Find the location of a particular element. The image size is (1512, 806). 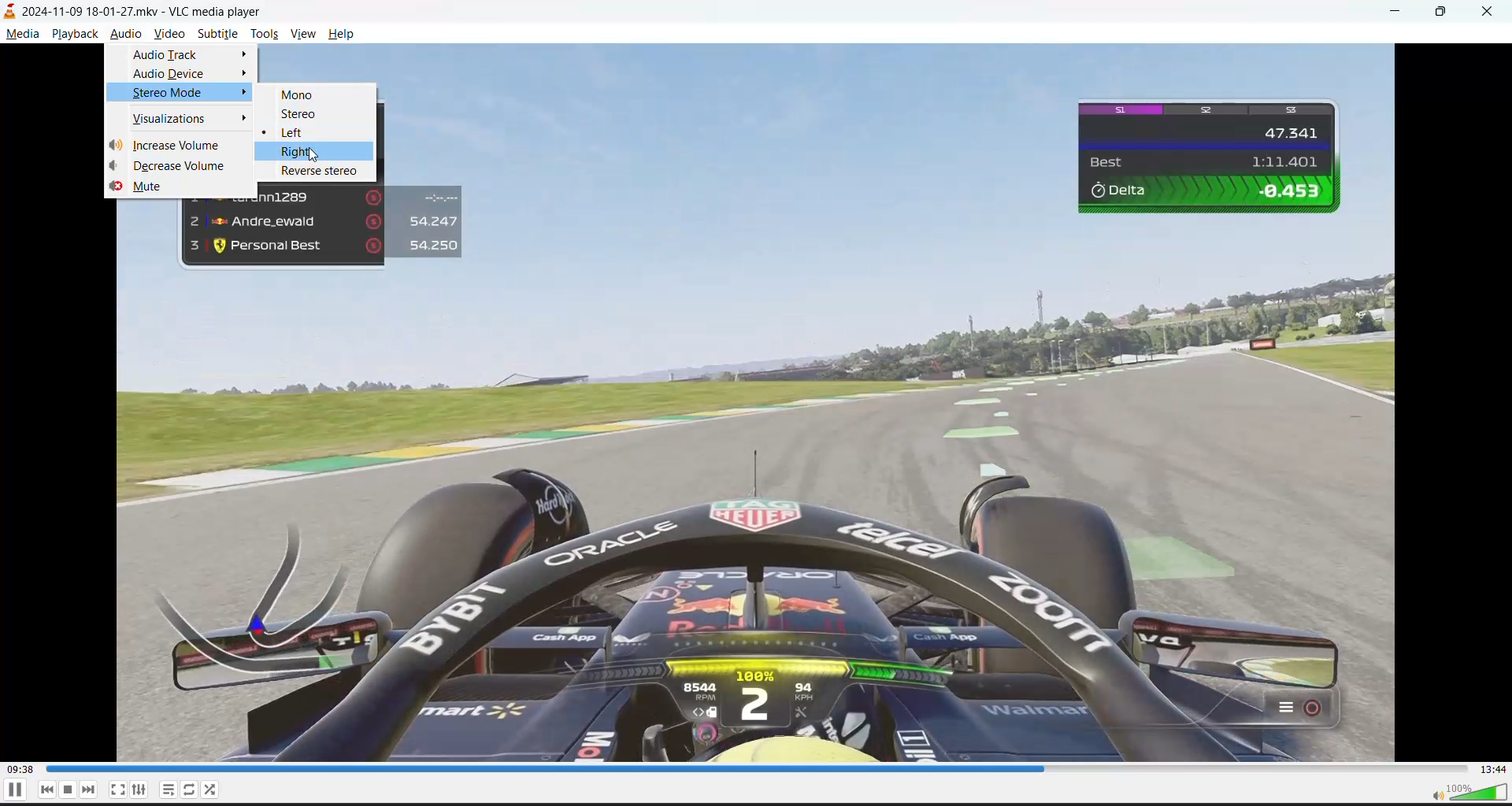

close is located at coordinates (1488, 13).